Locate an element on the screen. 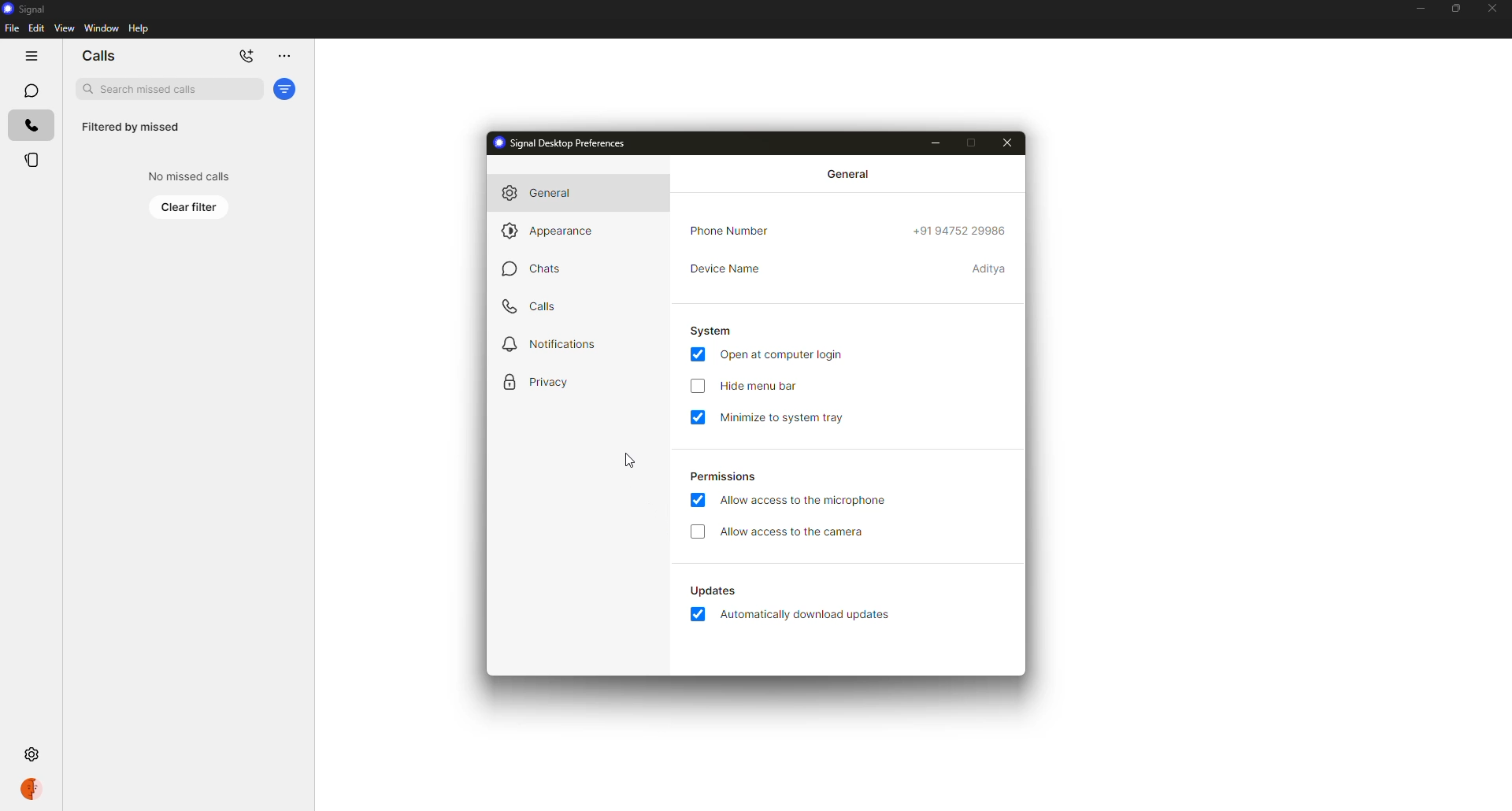 The height and width of the screenshot is (811, 1512). disabled is located at coordinates (698, 531).